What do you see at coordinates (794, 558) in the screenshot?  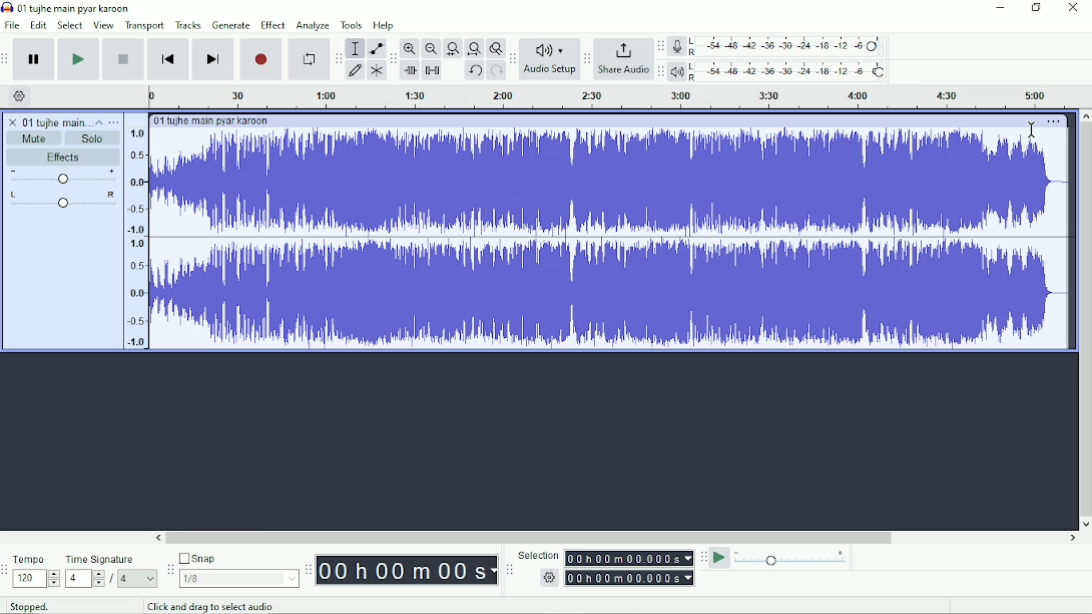 I see `Playback speed` at bounding box center [794, 558].